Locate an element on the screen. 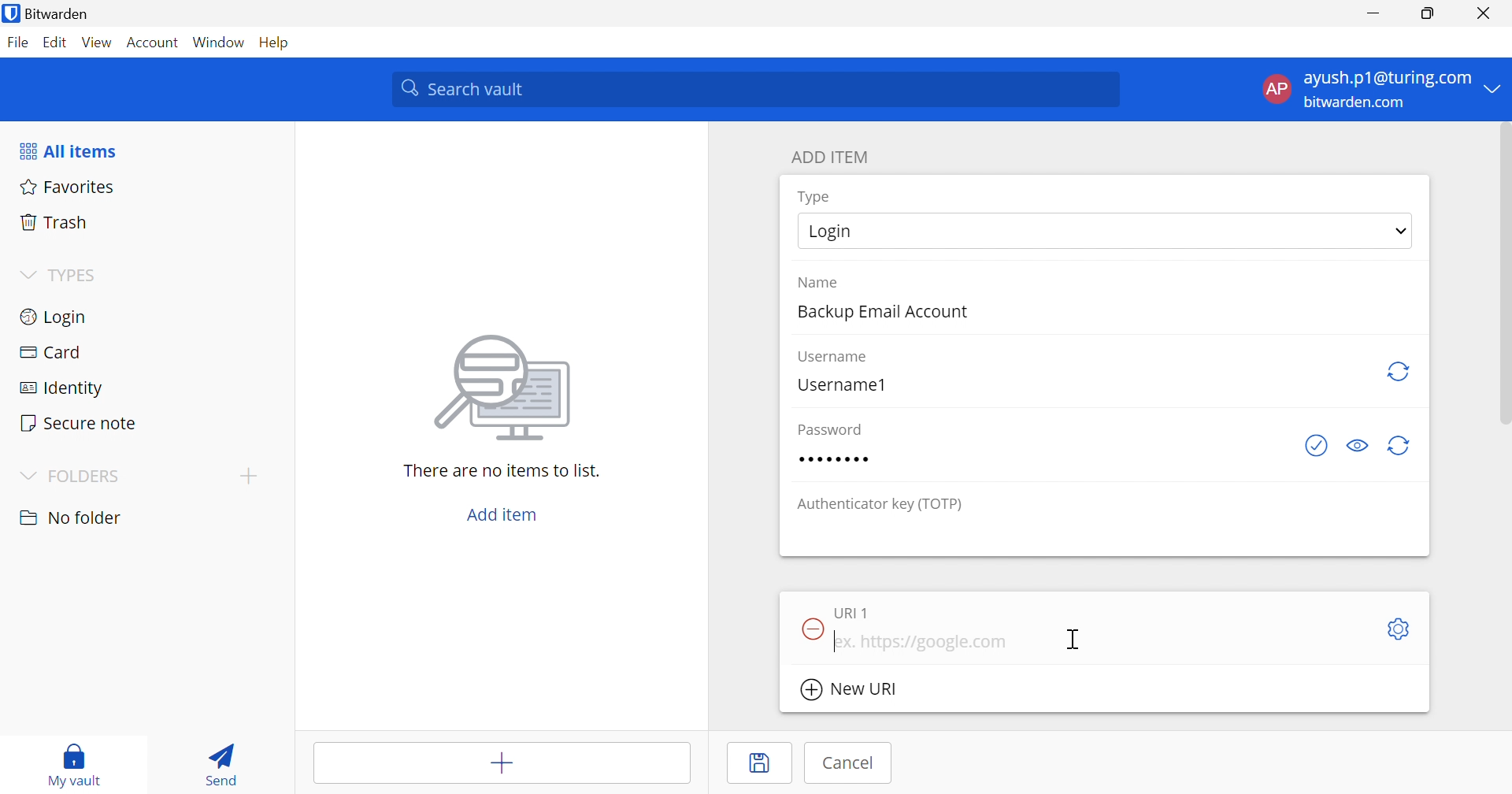 Image resolution: width=1512 pixels, height=794 pixels. Password is located at coordinates (830, 427).